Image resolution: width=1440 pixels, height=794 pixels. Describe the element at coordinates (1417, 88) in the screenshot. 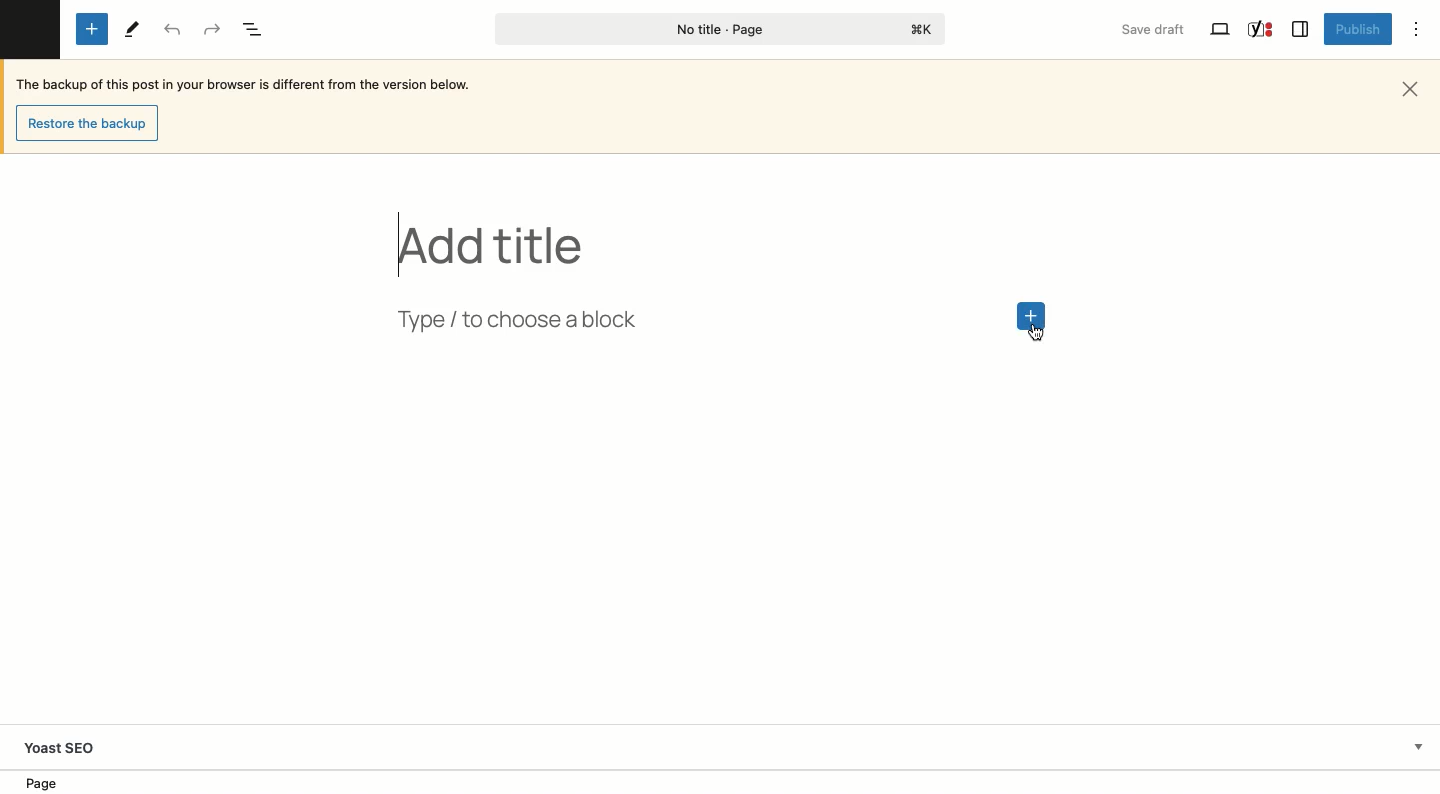

I see `Close` at that location.